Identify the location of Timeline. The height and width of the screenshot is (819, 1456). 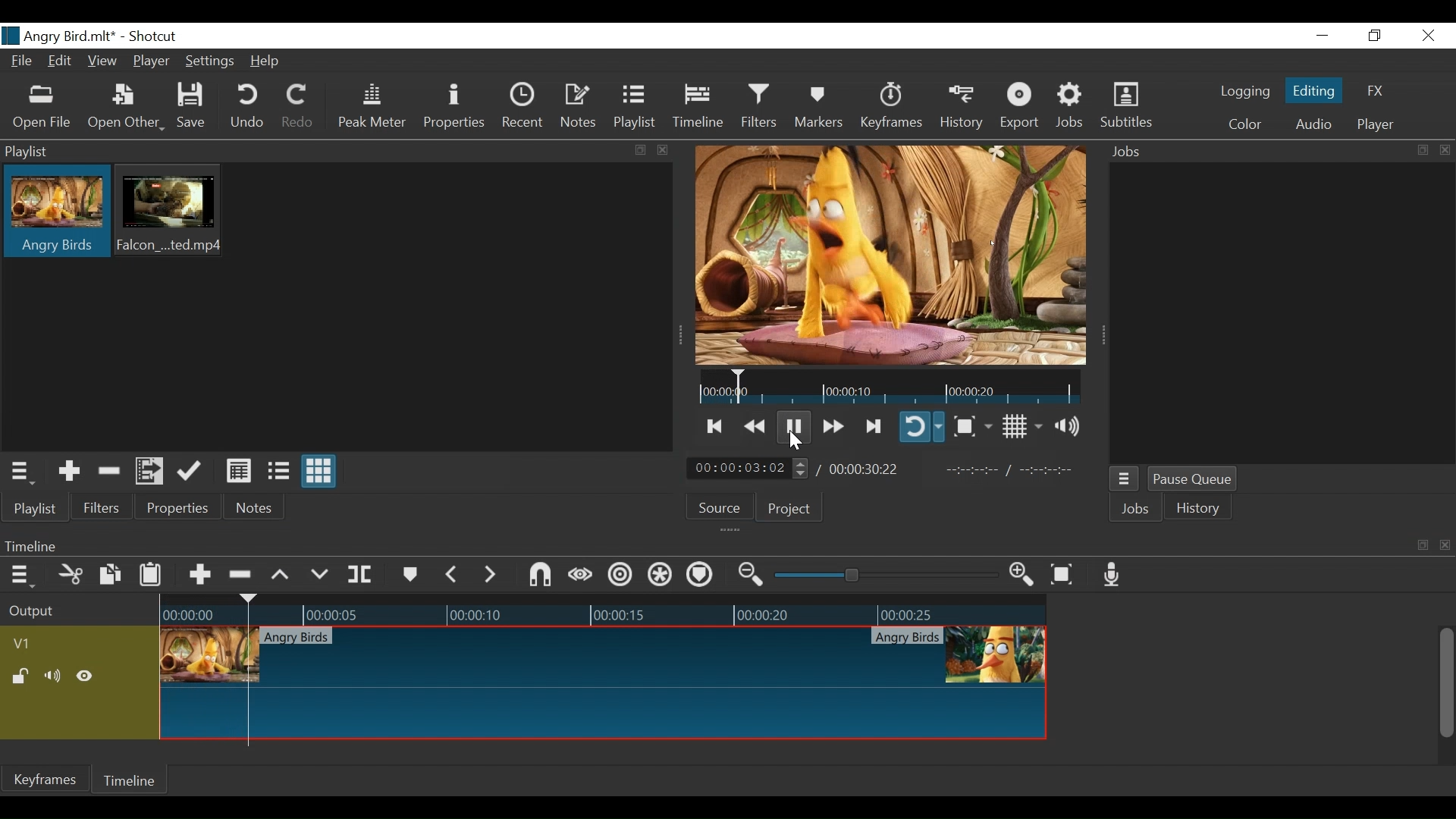
(698, 108).